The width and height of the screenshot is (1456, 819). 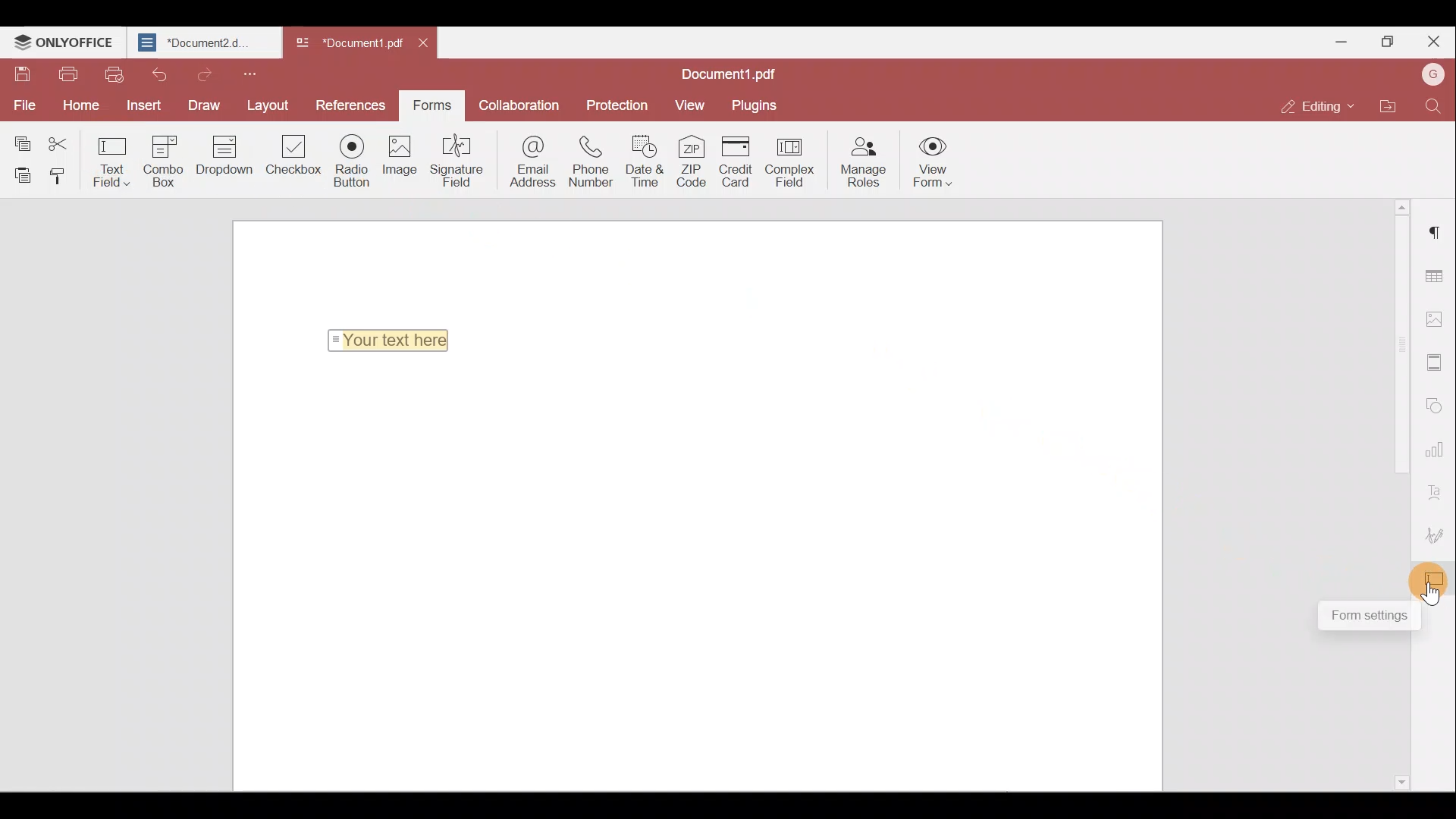 What do you see at coordinates (1435, 318) in the screenshot?
I see `Image settings` at bounding box center [1435, 318].